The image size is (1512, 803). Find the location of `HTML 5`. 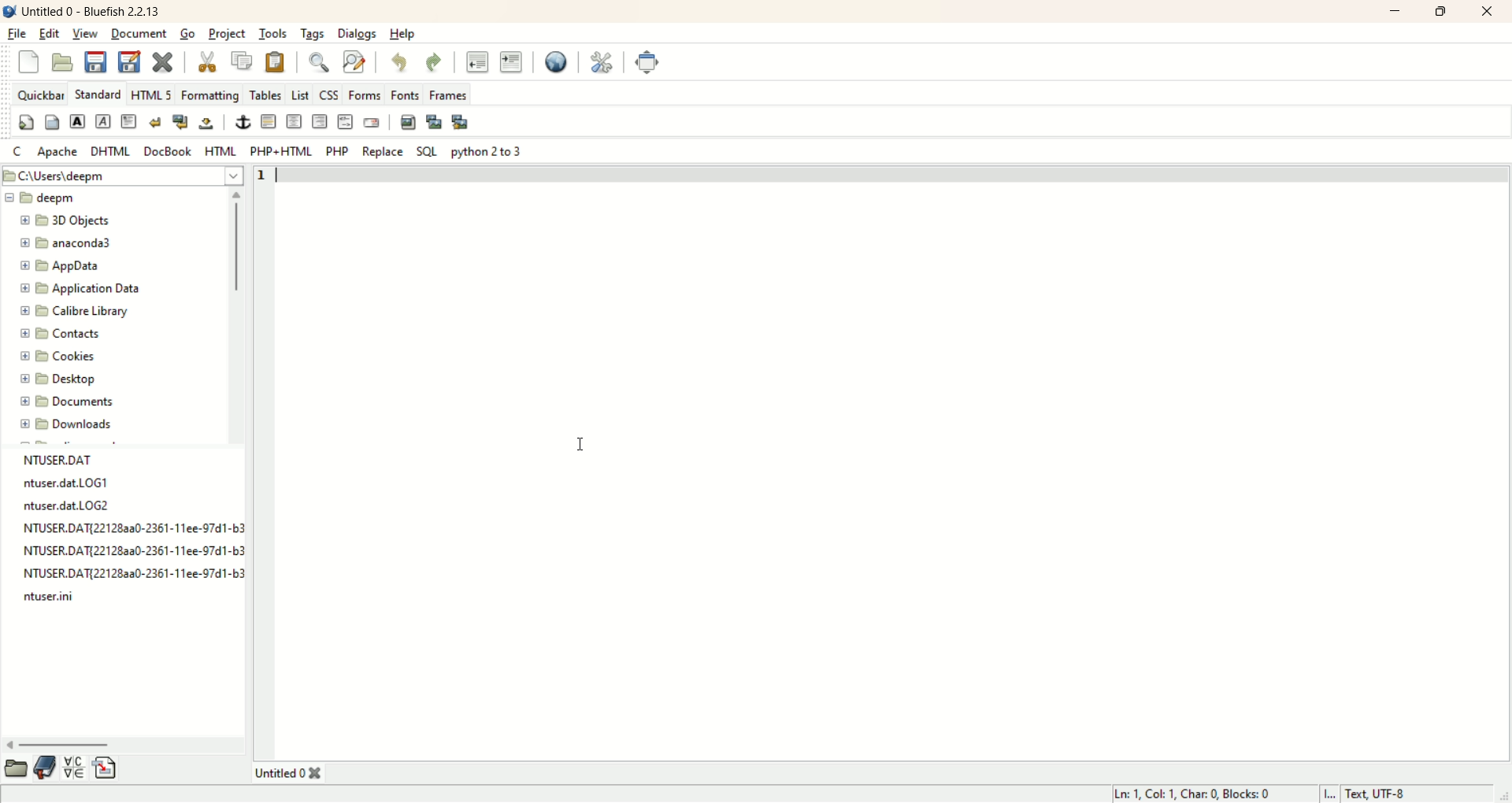

HTML 5 is located at coordinates (153, 94).